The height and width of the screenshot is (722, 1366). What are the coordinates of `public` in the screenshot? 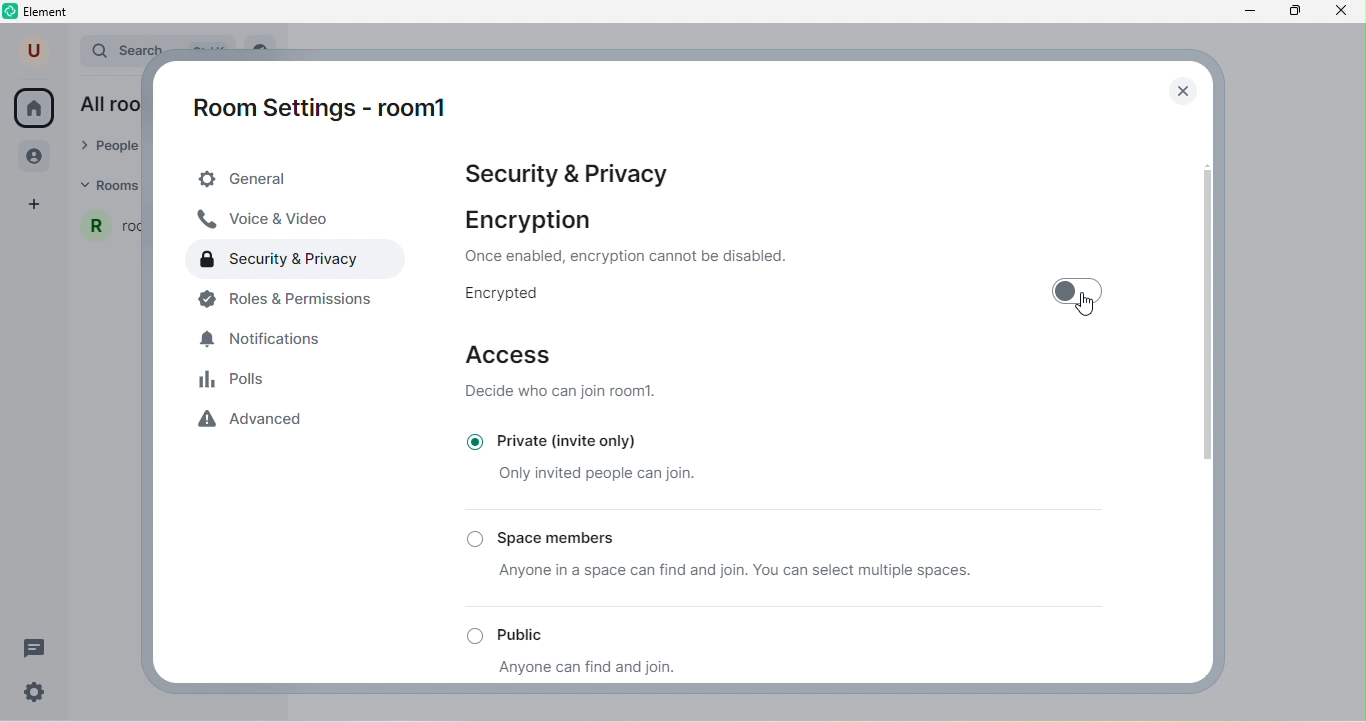 It's located at (555, 638).